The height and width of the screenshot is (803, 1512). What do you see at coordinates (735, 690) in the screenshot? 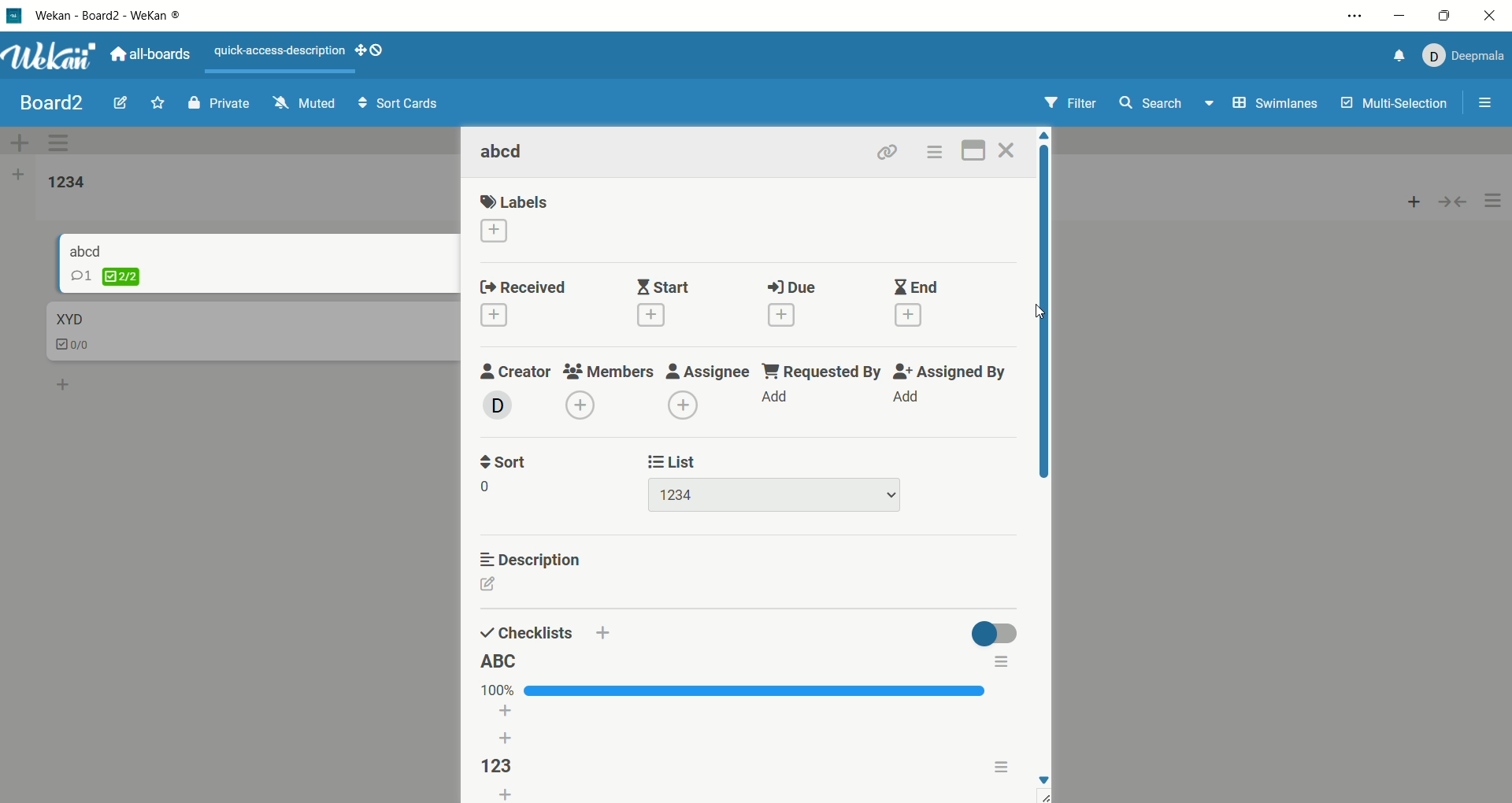
I see `progress` at bounding box center [735, 690].